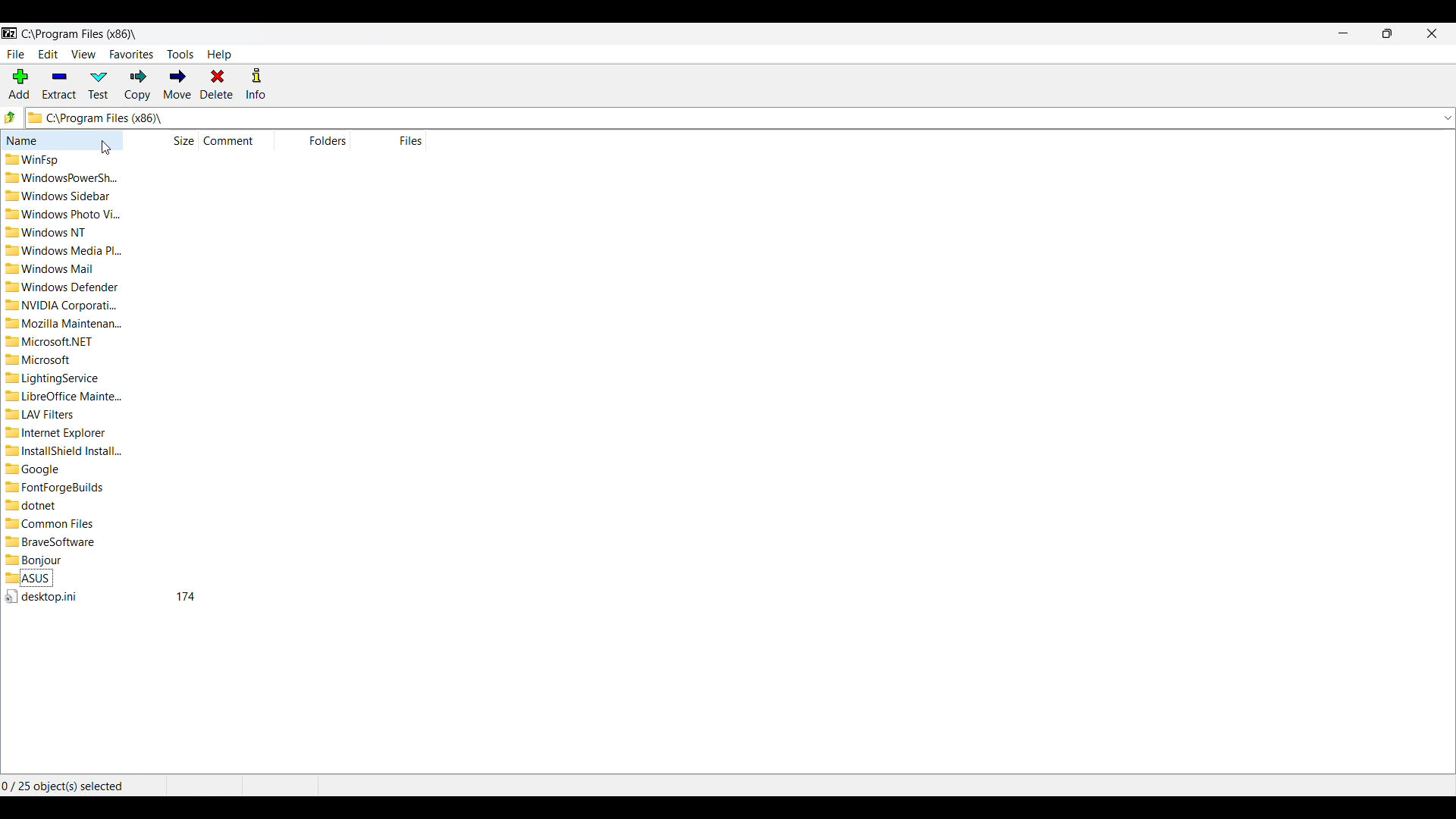 This screenshot has height=819, width=1456. What do you see at coordinates (49, 54) in the screenshot?
I see `Edit menu` at bounding box center [49, 54].